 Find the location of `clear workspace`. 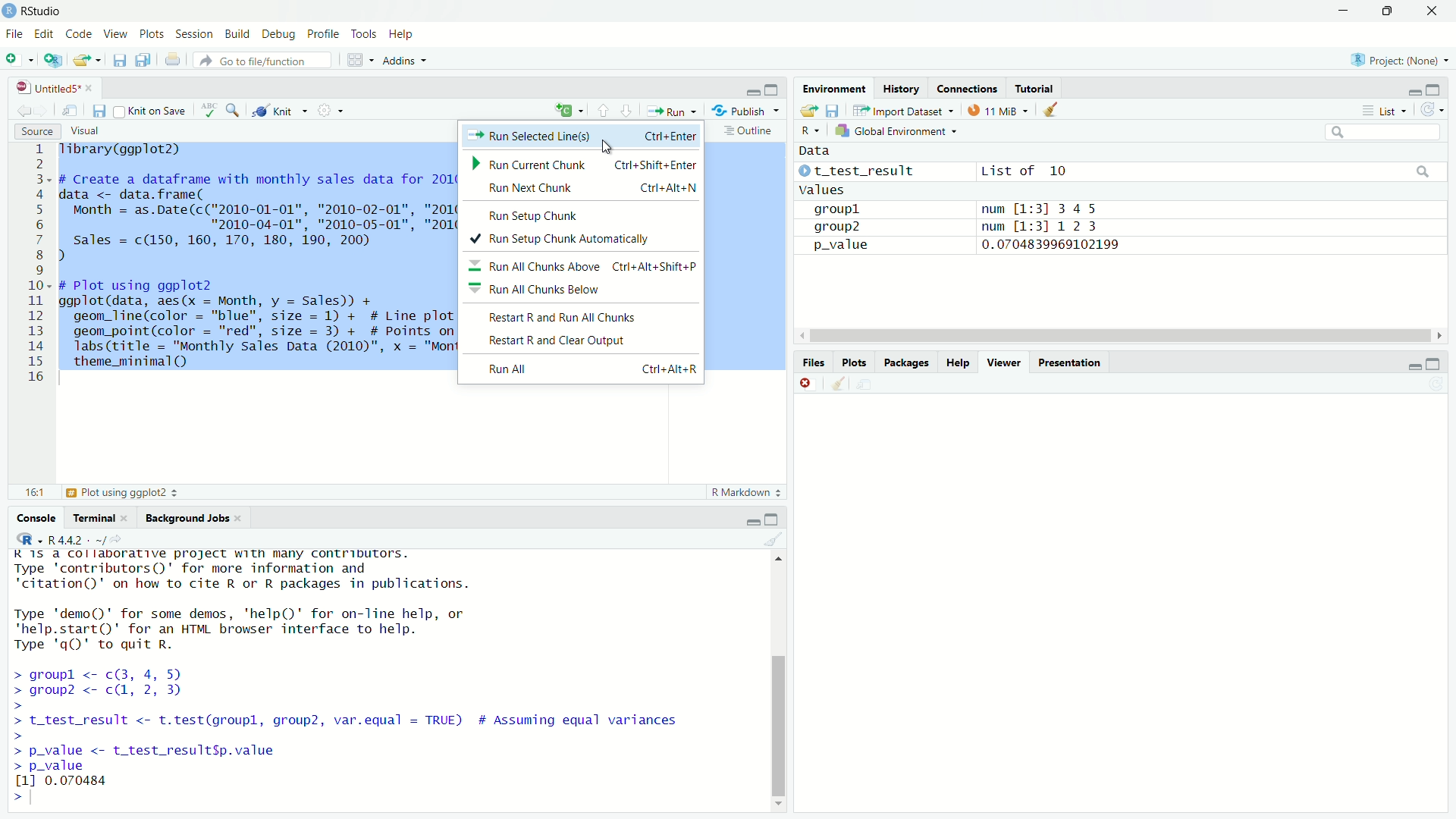

clear workspace is located at coordinates (836, 385).